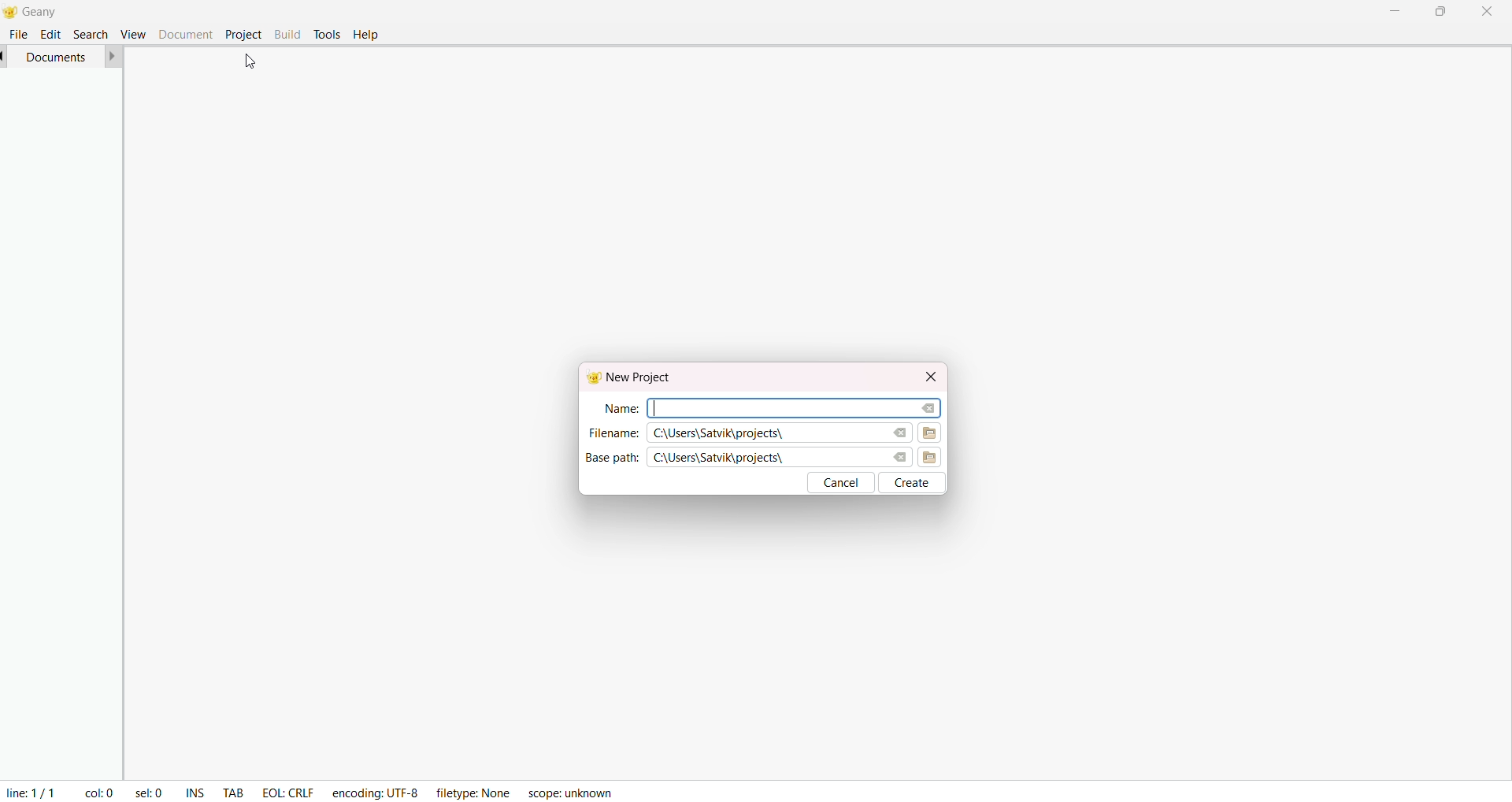  Describe the element at coordinates (898, 433) in the screenshot. I see `clear file name` at that location.